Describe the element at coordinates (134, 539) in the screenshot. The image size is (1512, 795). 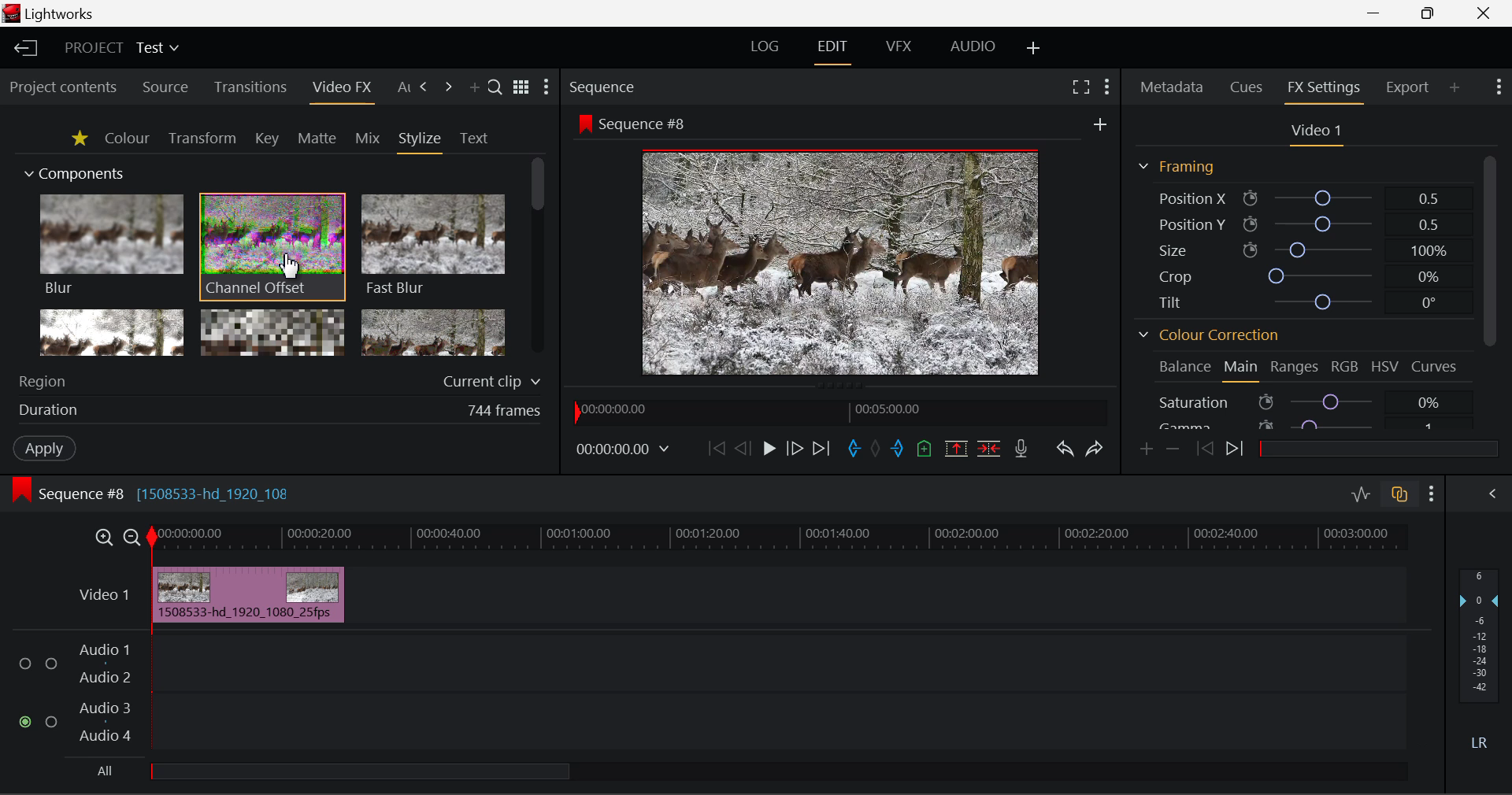
I see `Timeline Zoom Out` at that location.